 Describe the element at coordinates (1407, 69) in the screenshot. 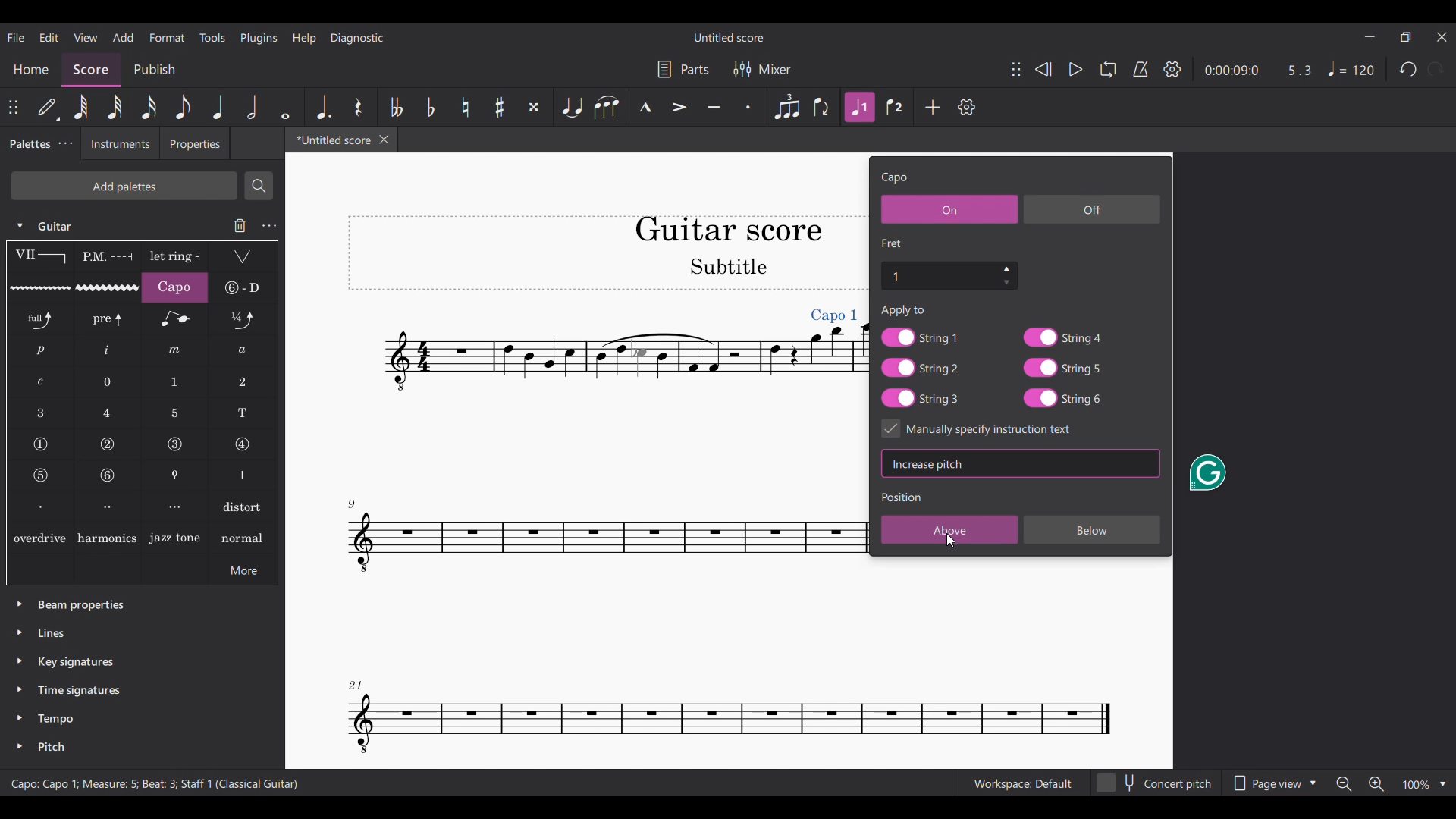

I see `Undo` at that location.